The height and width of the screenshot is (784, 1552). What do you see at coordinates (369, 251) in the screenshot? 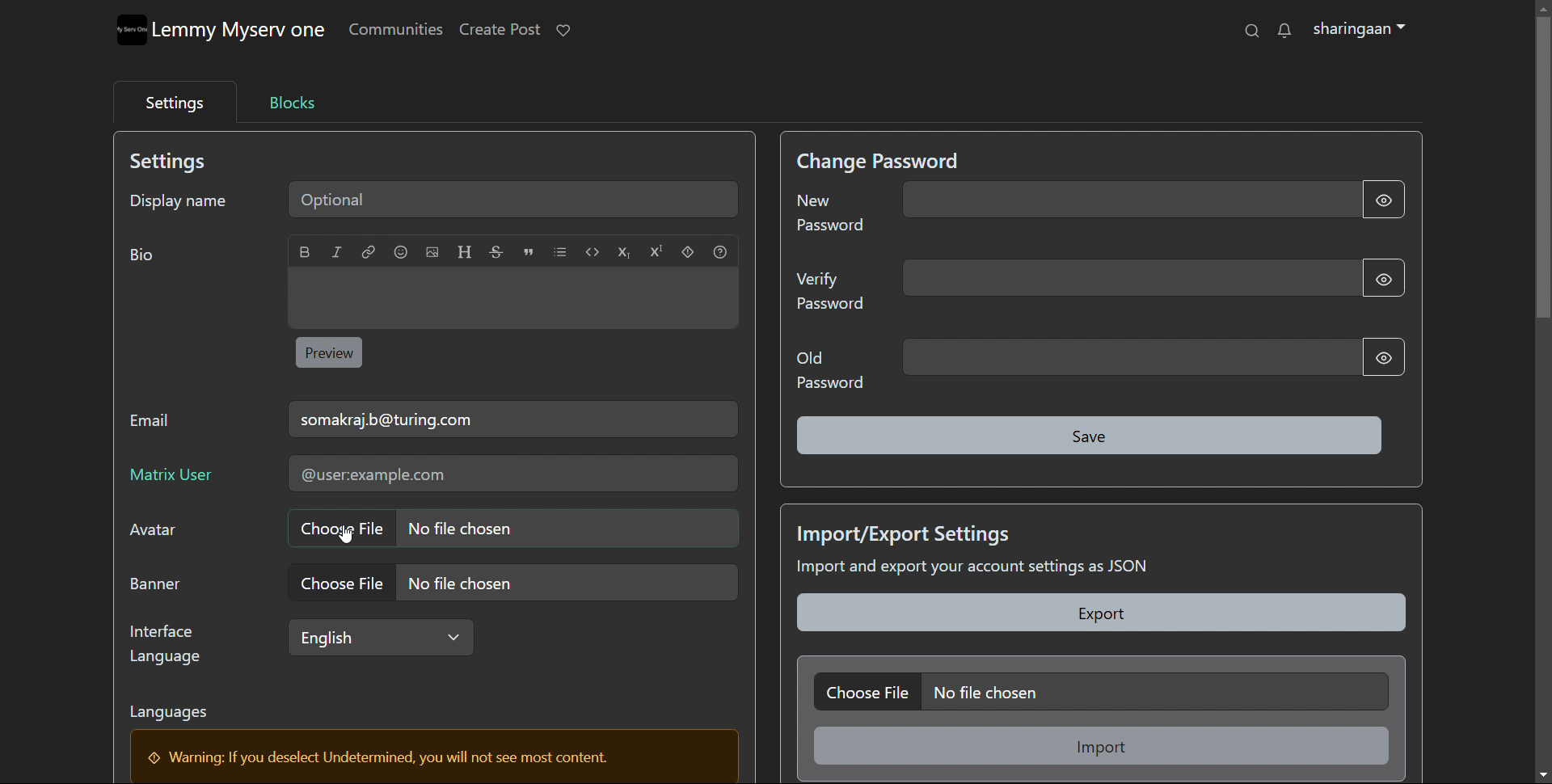
I see `link` at bounding box center [369, 251].